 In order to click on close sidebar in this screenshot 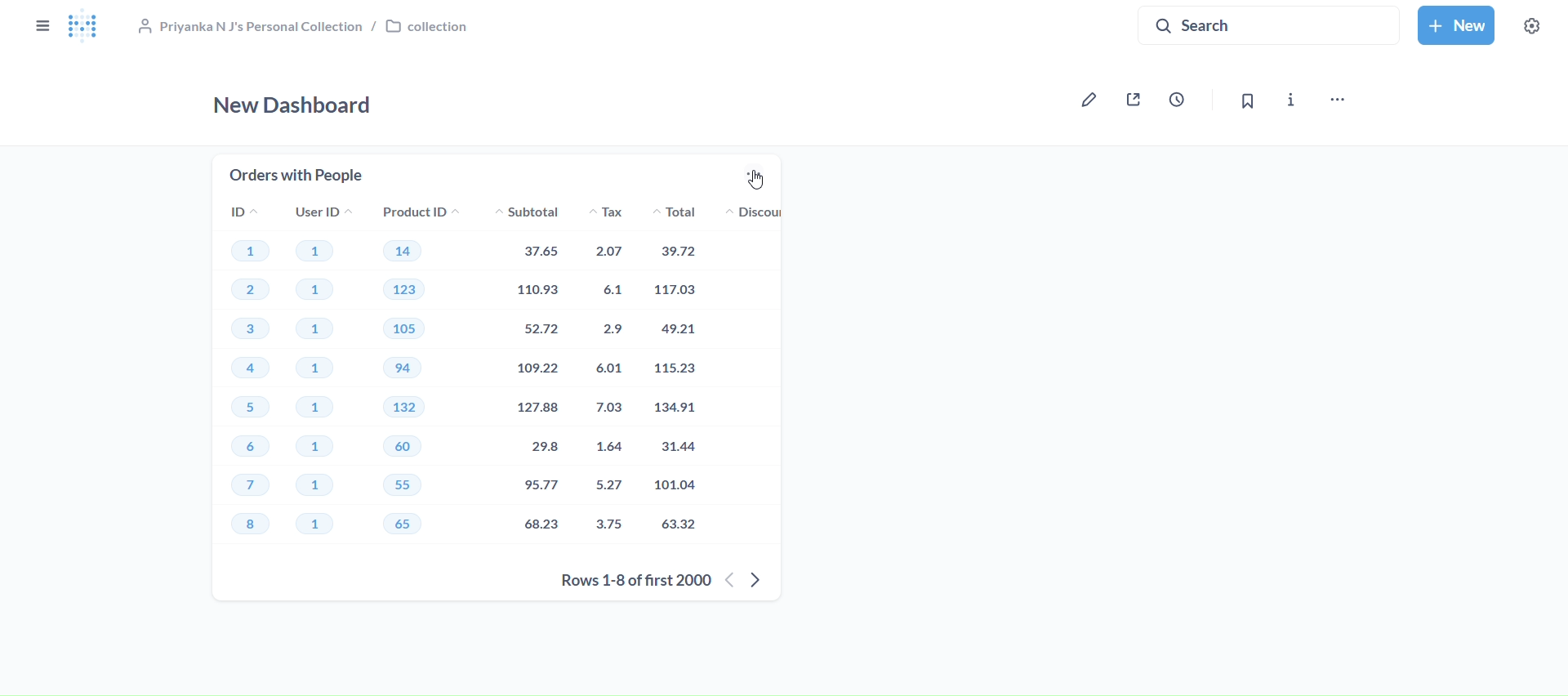, I will do `click(42, 26)`.